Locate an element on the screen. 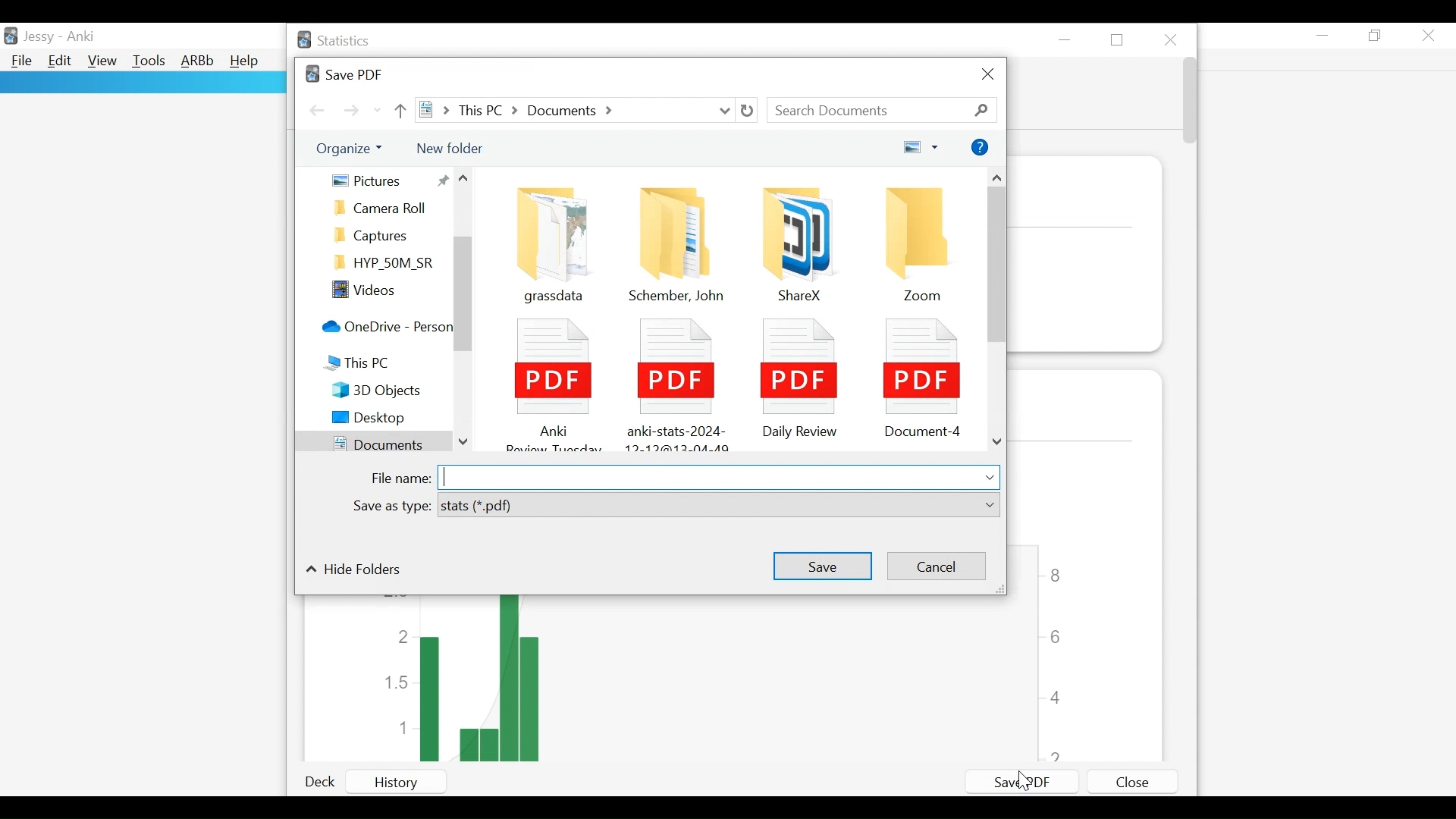 This screenshot has width=1456, height=819. OneDrive is located at coordinates (384, 328).